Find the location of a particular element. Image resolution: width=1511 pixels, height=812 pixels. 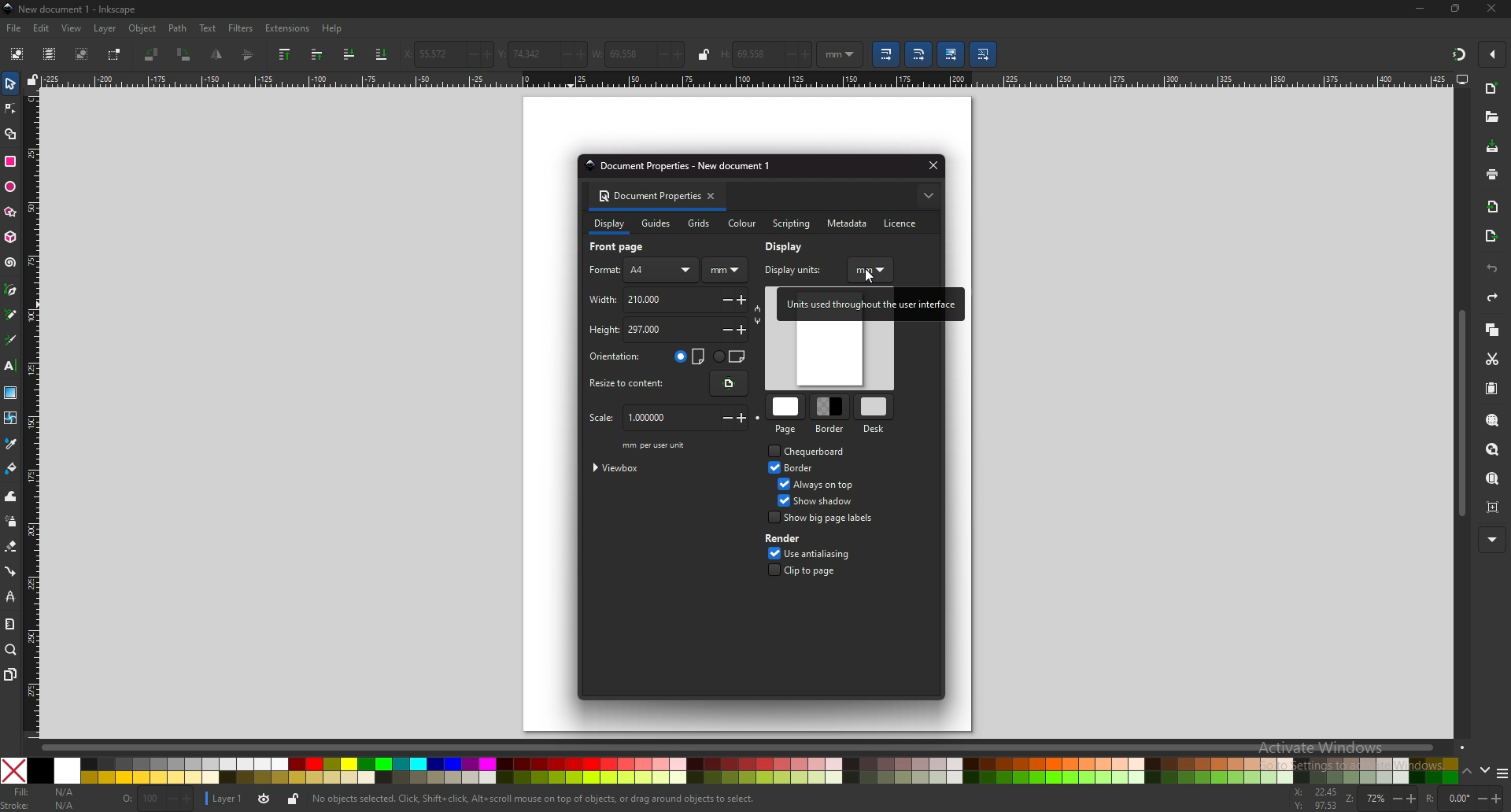

import is located at coordinates (1494, 209).